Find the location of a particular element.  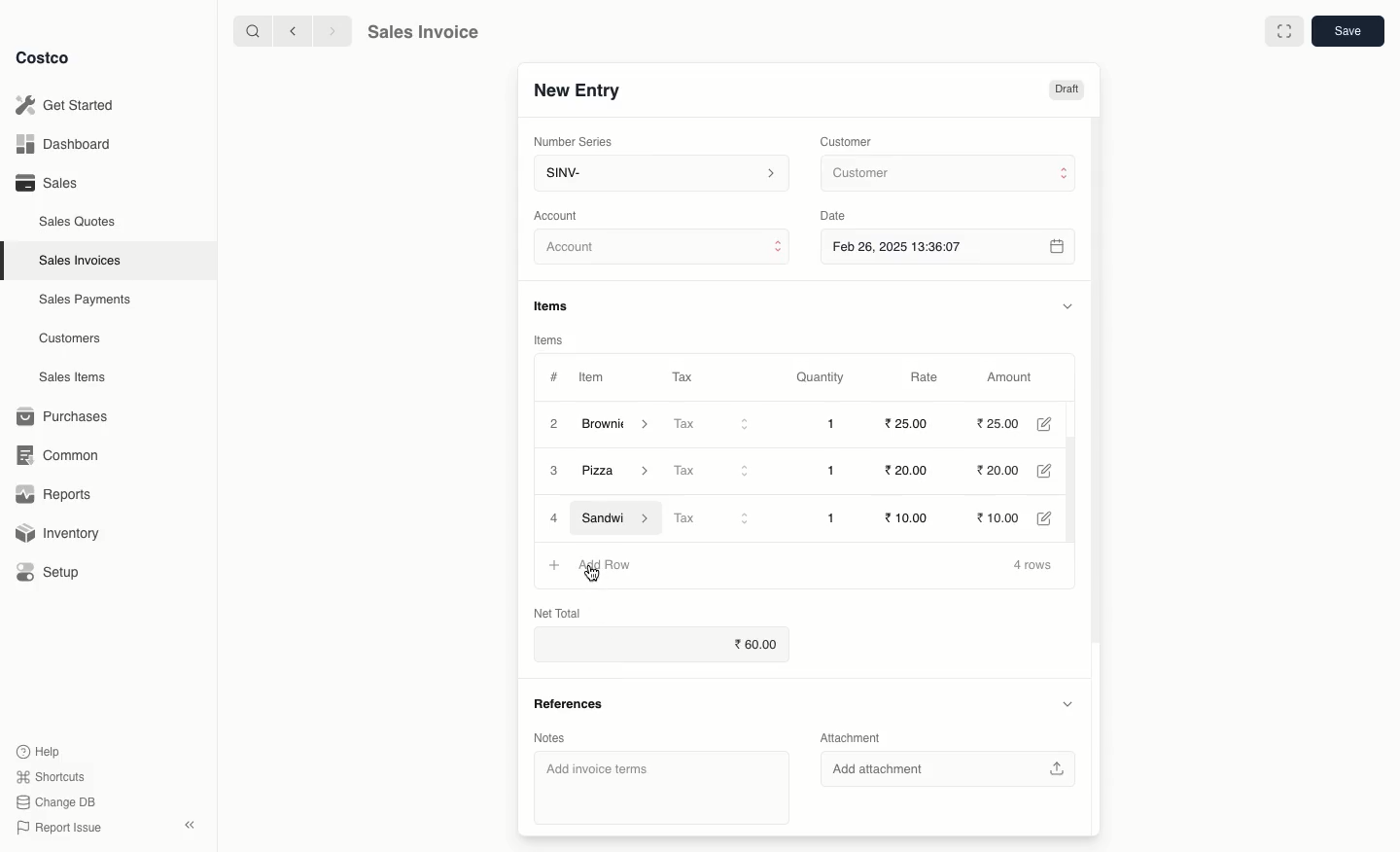

Amount is located at coordinates (1015, 377).